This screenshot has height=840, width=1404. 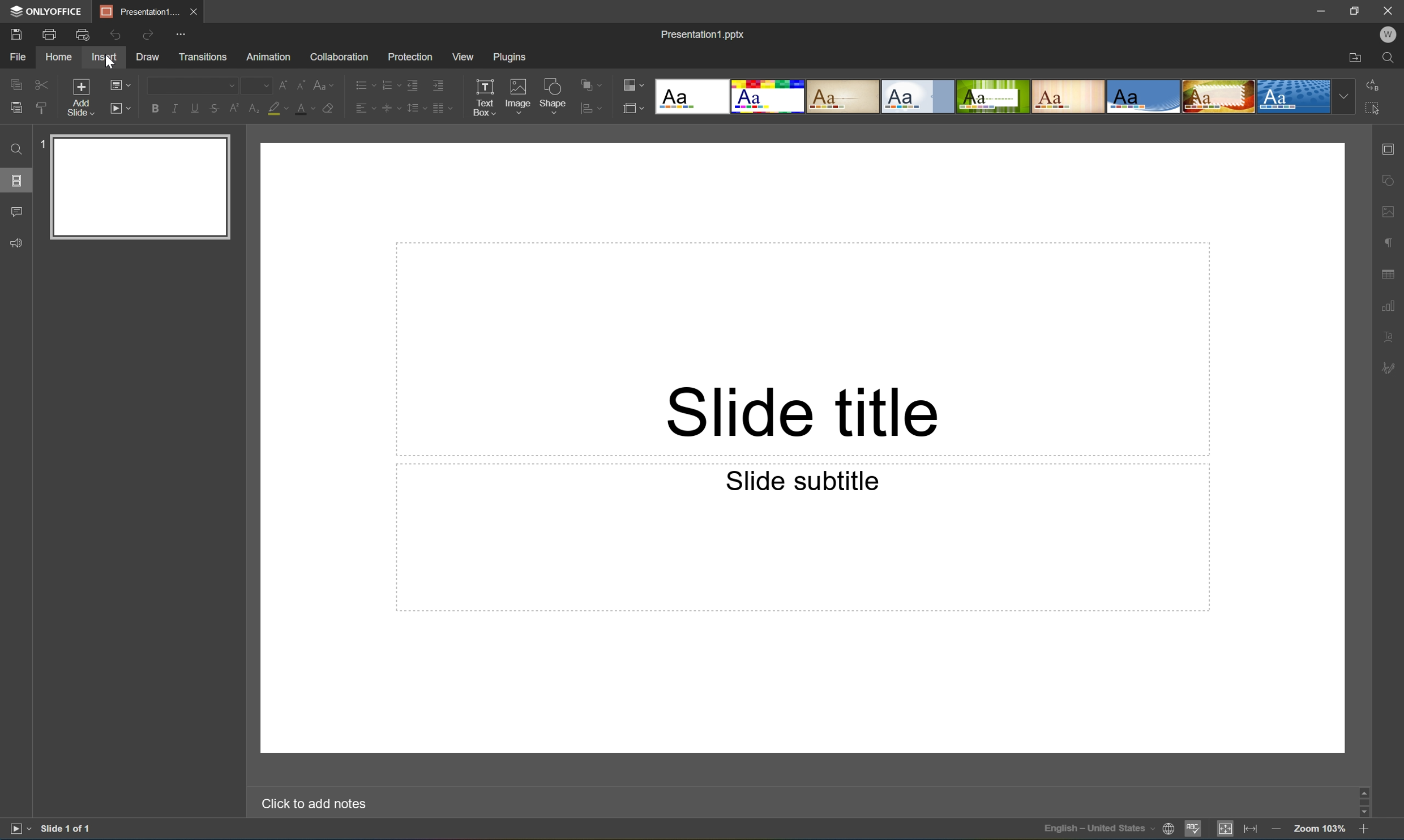 What do you see at coordinates (17, 83) in the screenshot?
I see `Copy` at bounding box center [17, 83].